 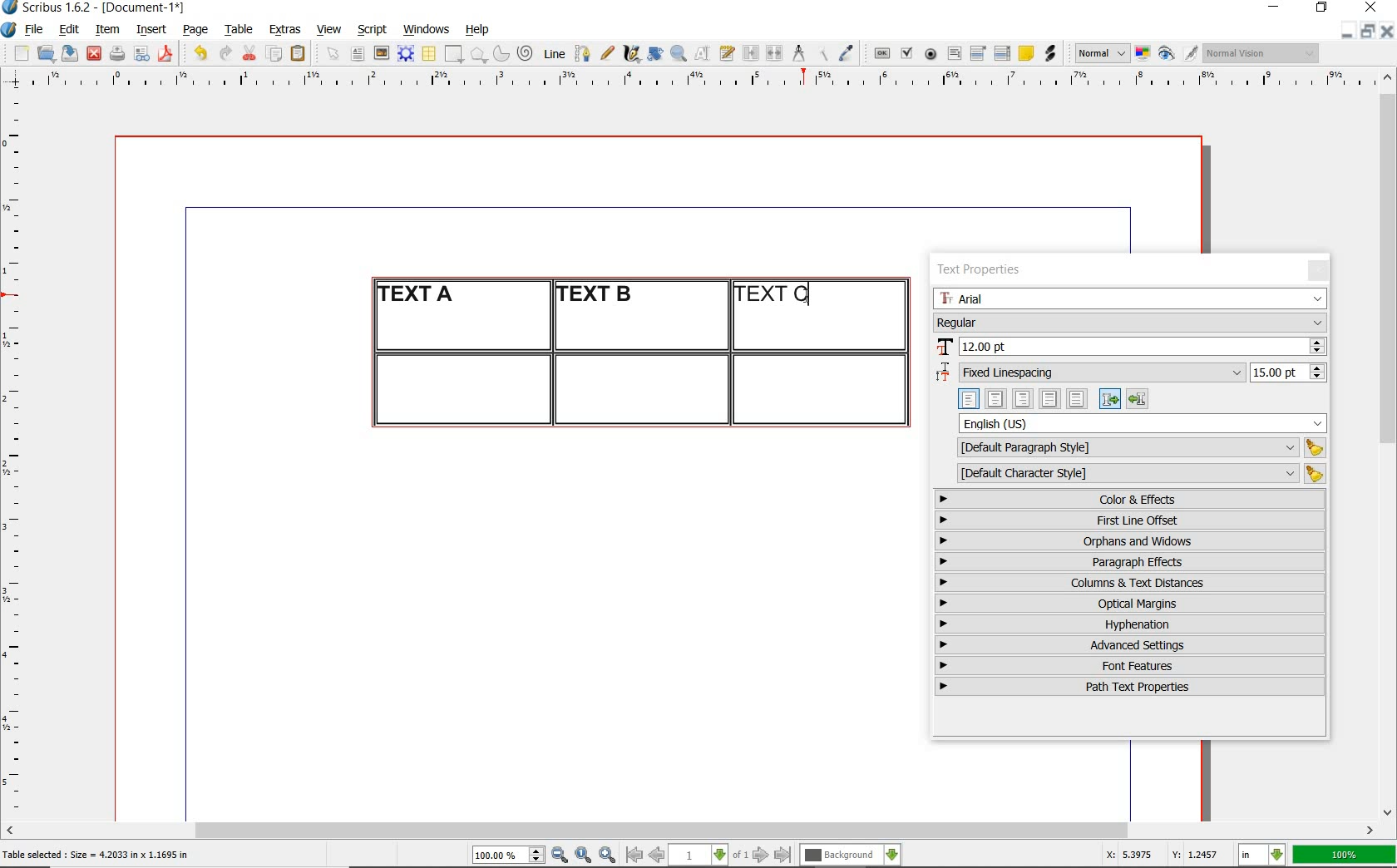 I want to click on eye dropper, so click(x=846, y=55).